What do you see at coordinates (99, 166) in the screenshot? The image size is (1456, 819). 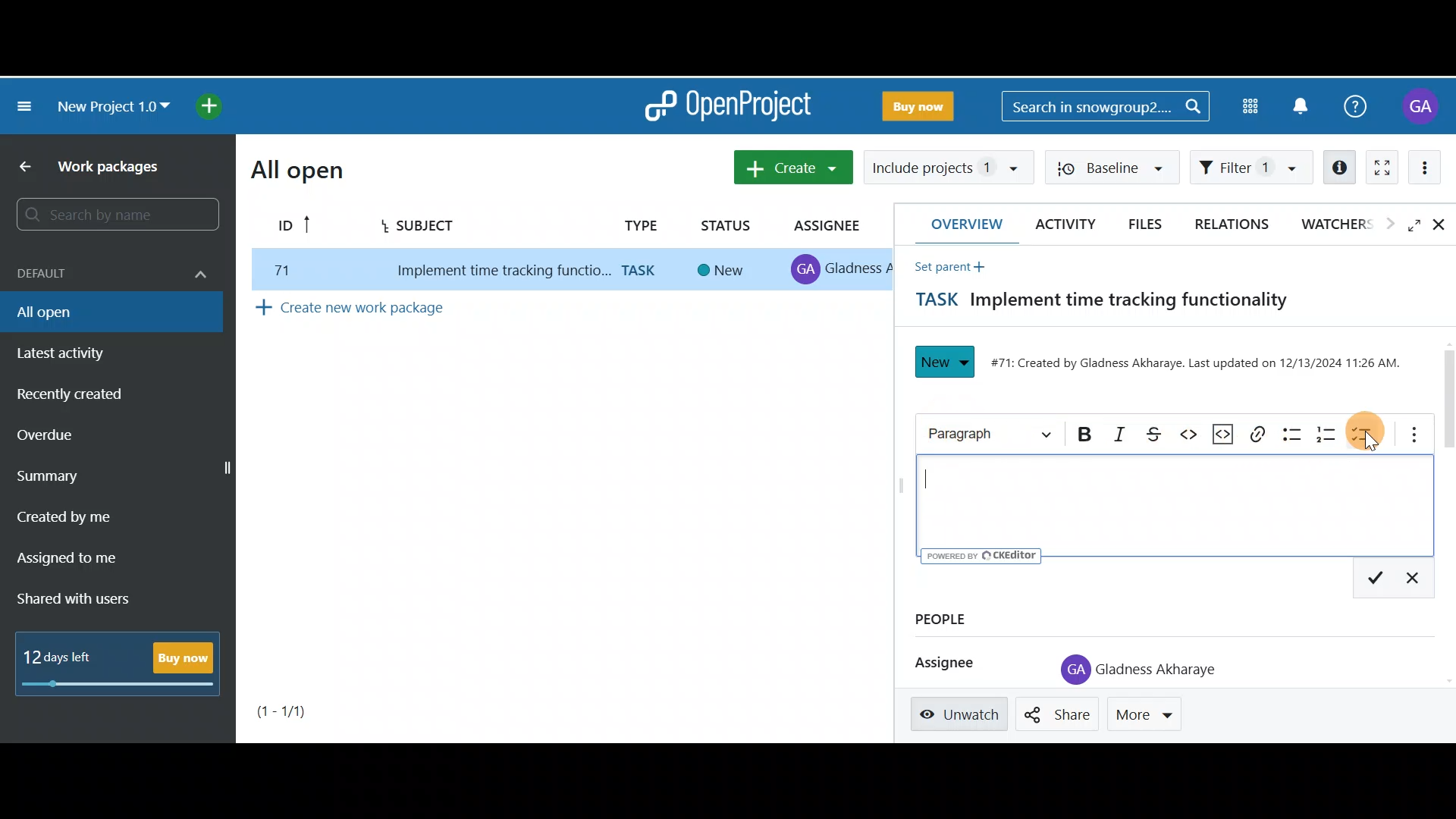 I see `Work packages` at bounding box center [99, 166].